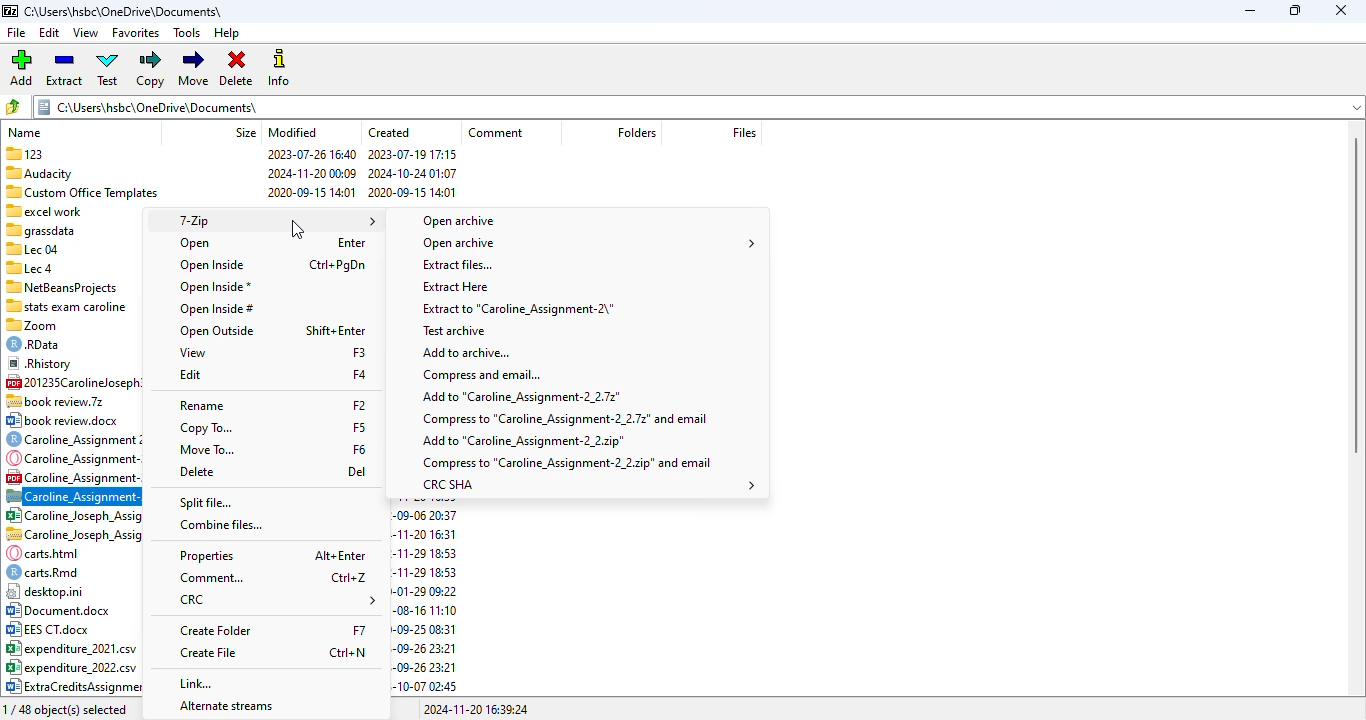 The height and width of the screenshot is (720, 1366). What do you see at coordinates (517, 309) in the screenshot?
I see `extract to original file` at bounding box center [517, 309].